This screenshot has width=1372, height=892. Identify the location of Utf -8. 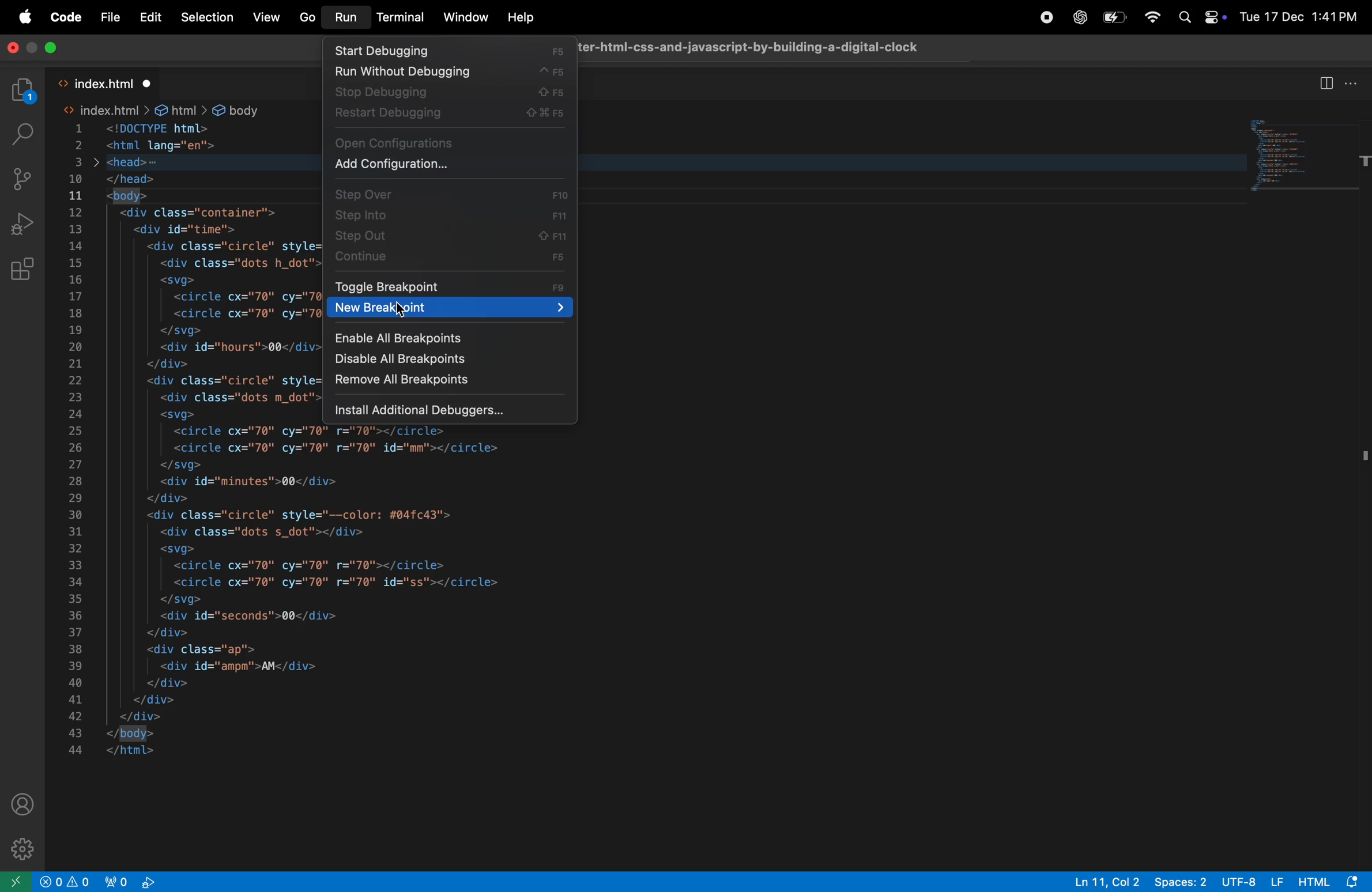
(1254, 881).